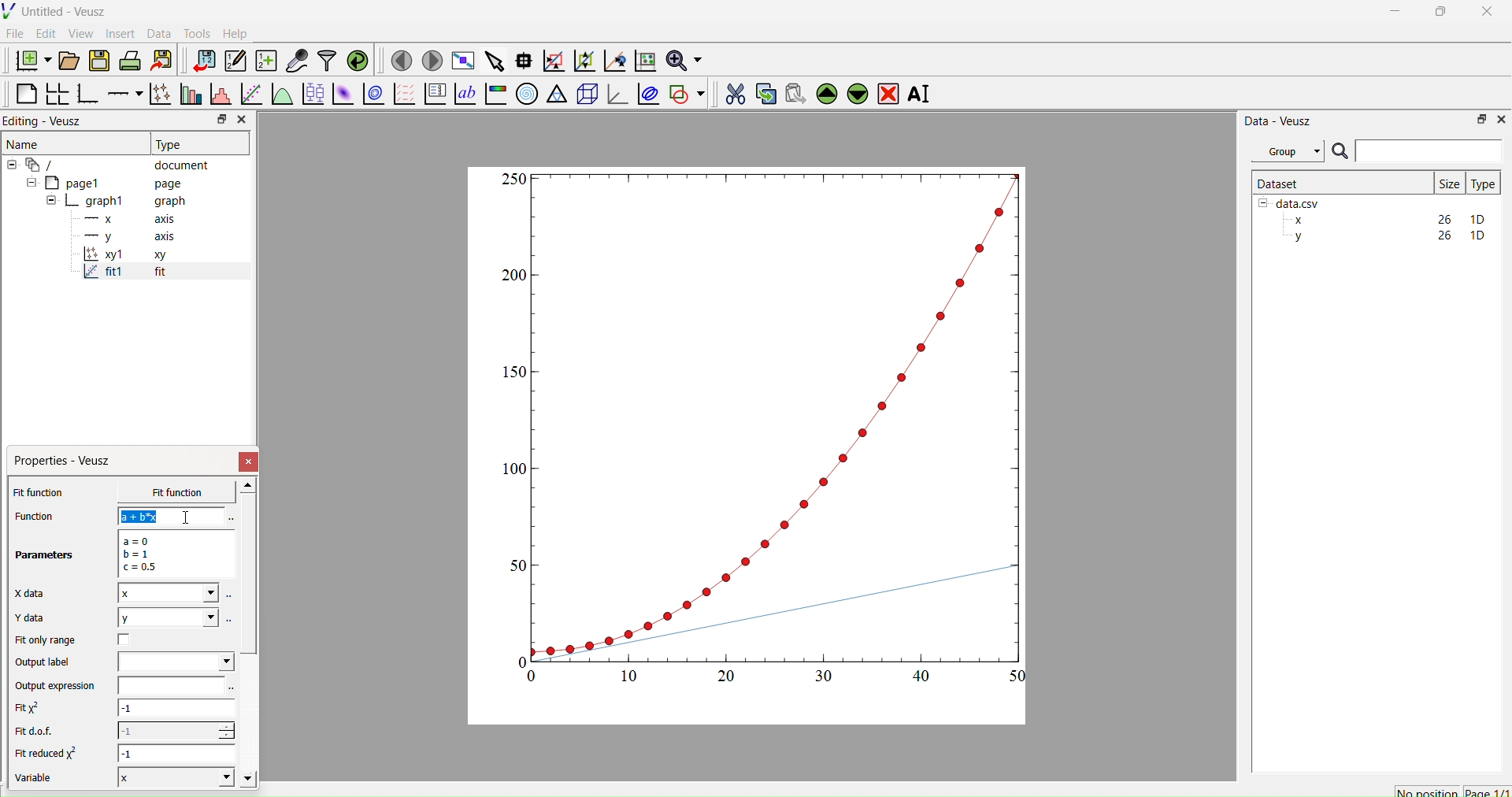 The height and width of the screenshot is (797, 1512). I want to click on Graph, so click(766, 427).